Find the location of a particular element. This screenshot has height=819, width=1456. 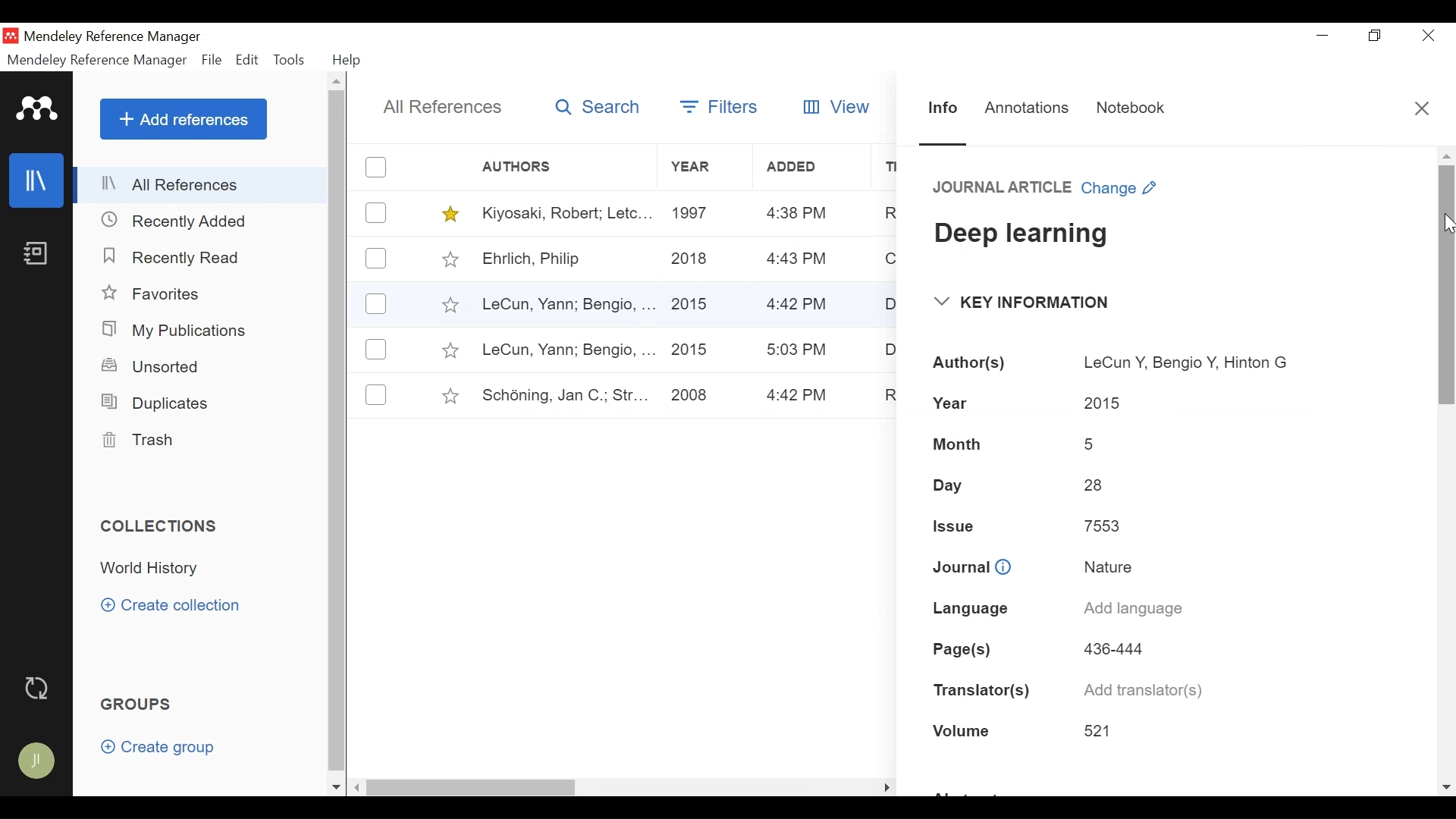

Close is located at coordinates (1428, 36).